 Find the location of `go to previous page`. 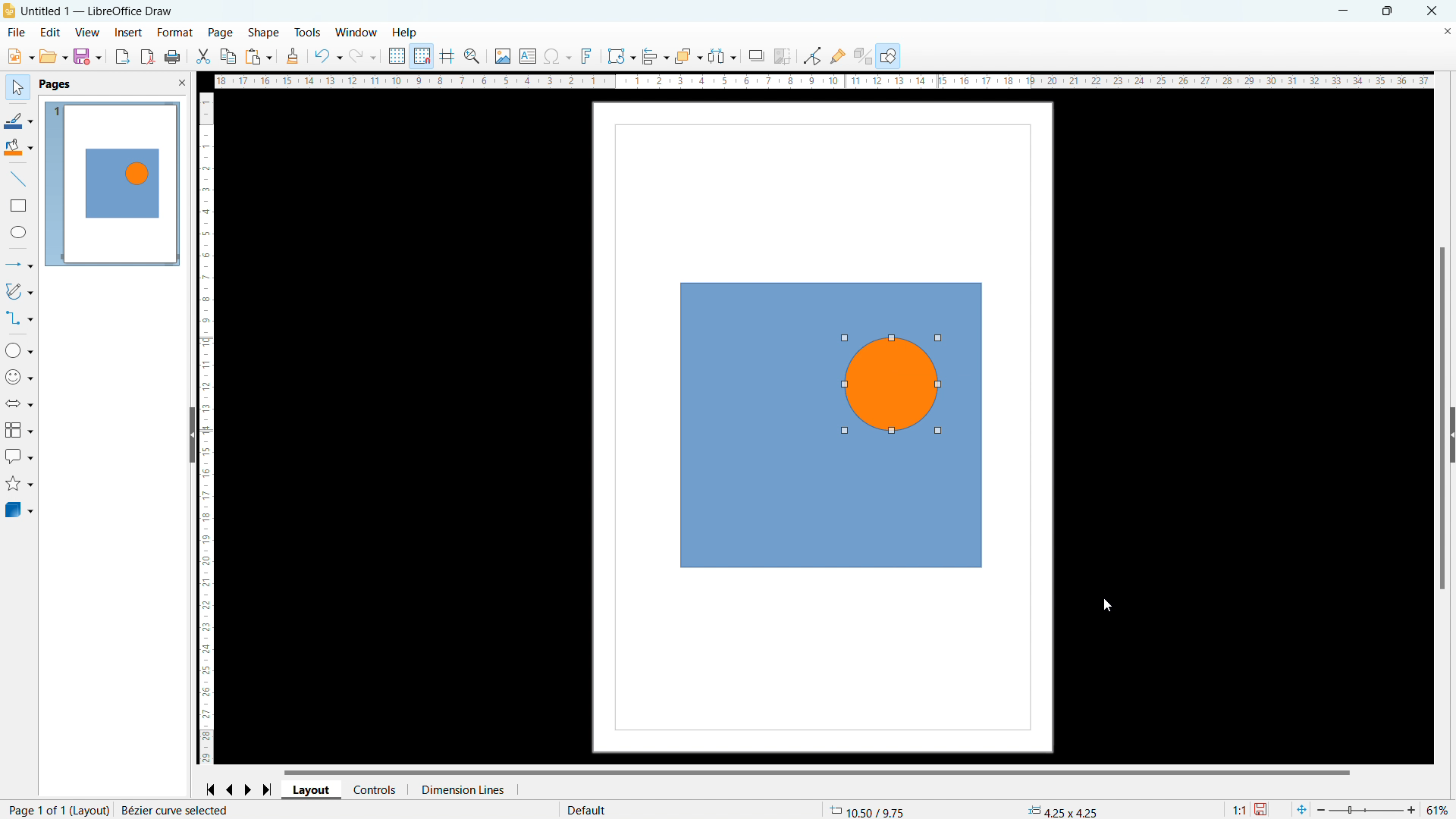

go to previous page is located at coordinates (229, 789).